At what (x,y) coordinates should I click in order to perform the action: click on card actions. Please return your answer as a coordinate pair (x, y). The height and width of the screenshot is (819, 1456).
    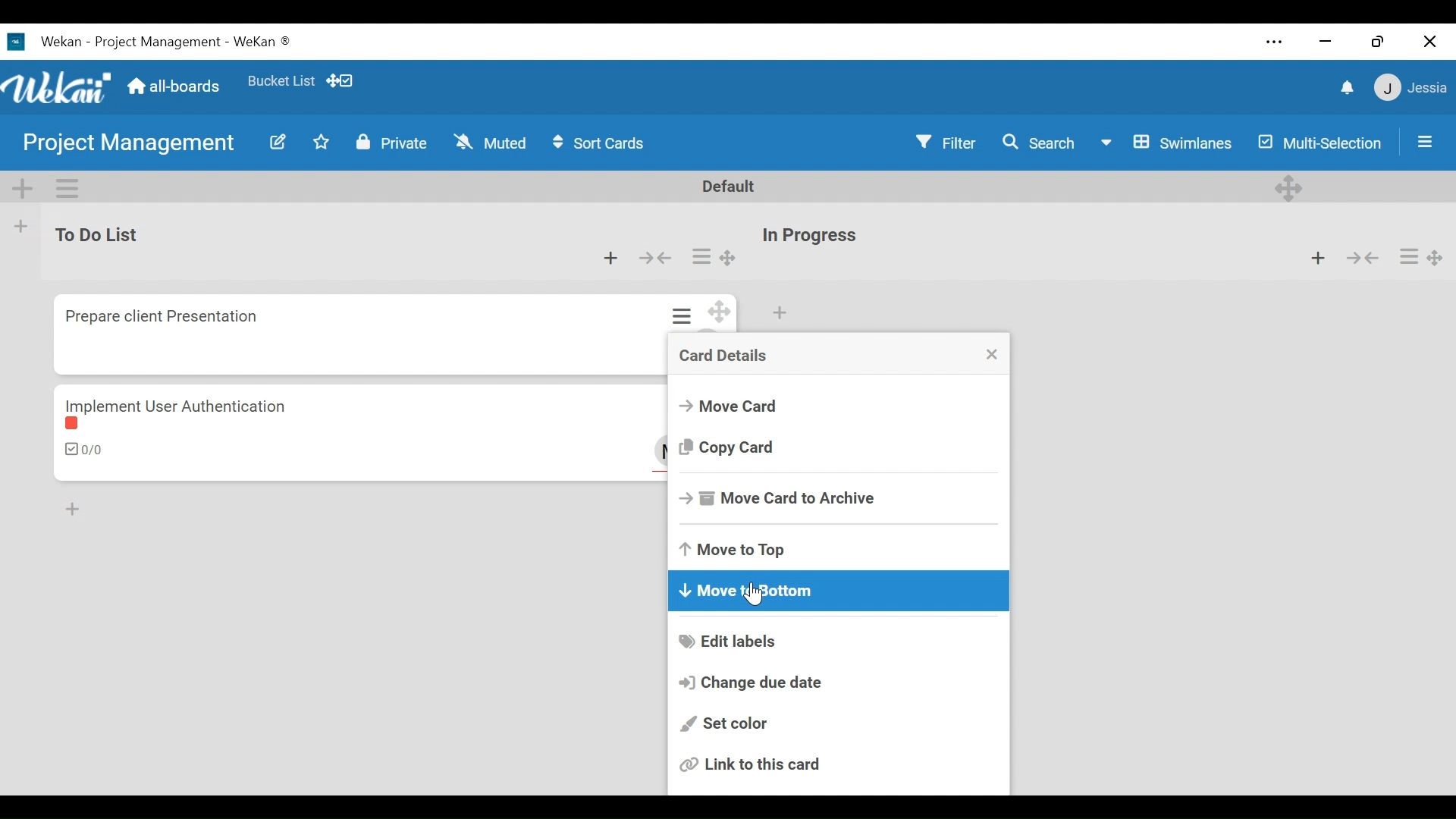
    Looking at the image, I should click on (702, 256).